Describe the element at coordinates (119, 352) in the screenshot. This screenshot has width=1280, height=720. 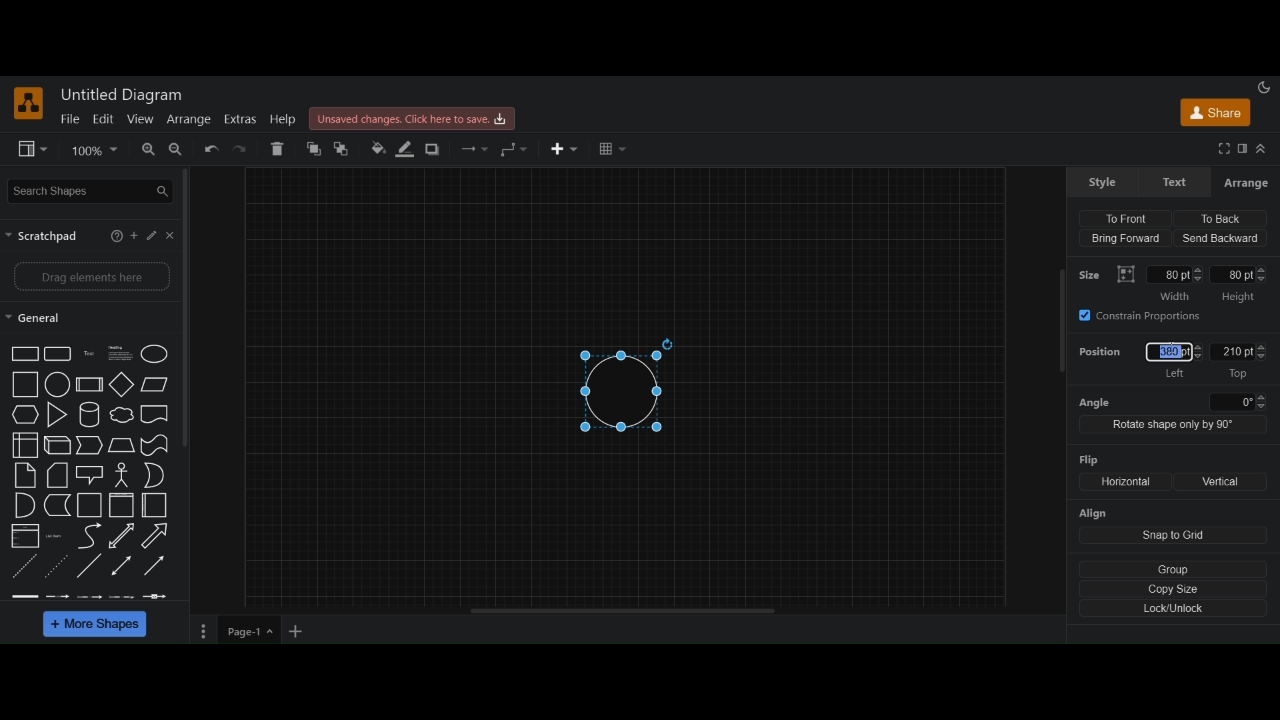
I see `Para` at that location.